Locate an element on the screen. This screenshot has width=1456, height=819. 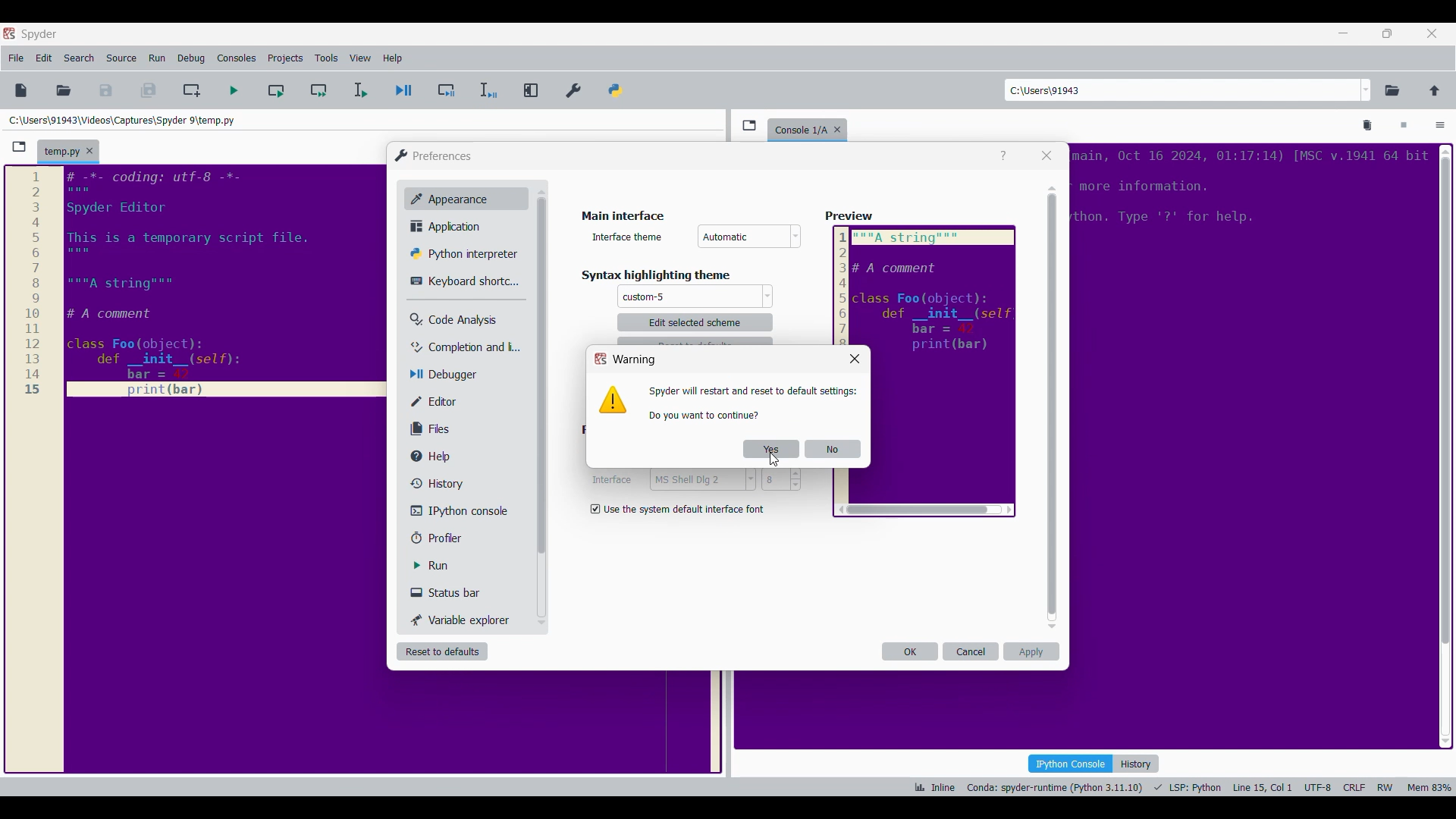
Python interpretor is located at coordinates (466, 254).